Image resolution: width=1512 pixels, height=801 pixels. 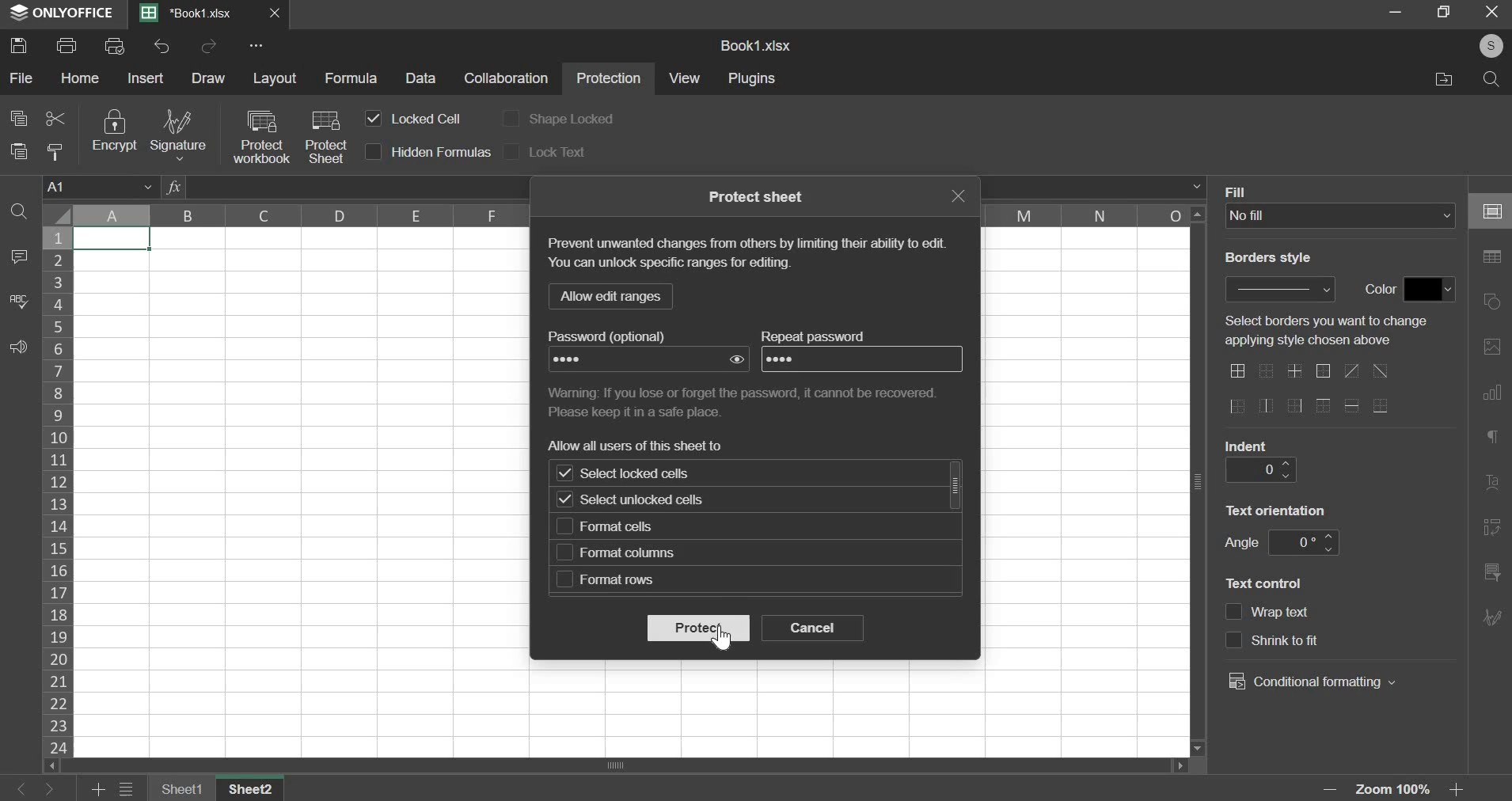 What do you see at coordinates (1322, 372) in the screenshot?
I see `border options` at bounding box center [1322, 372].